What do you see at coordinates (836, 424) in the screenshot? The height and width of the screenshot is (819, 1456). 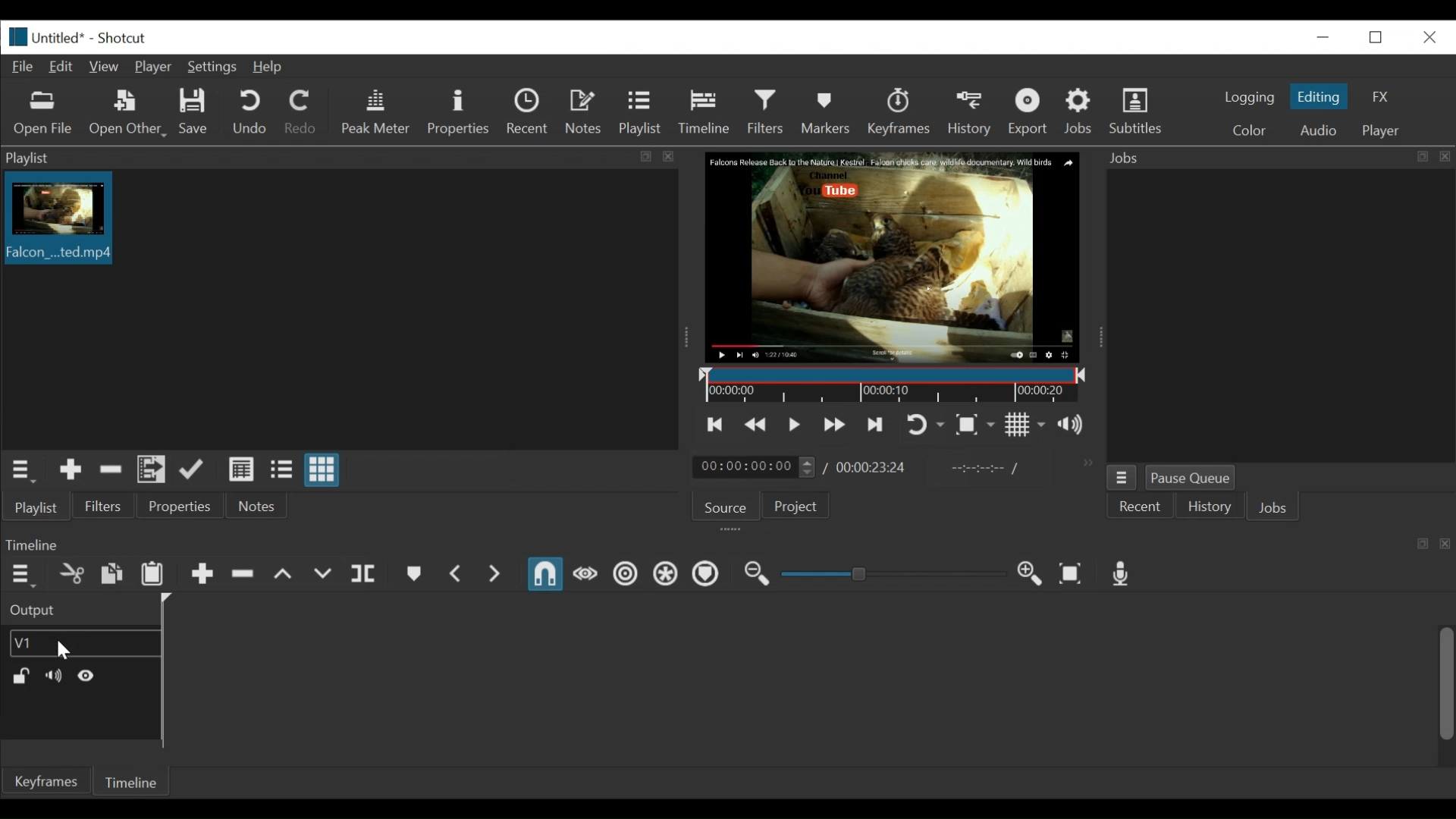 I see `Skip to the next point` at bounding box center [836, 424].